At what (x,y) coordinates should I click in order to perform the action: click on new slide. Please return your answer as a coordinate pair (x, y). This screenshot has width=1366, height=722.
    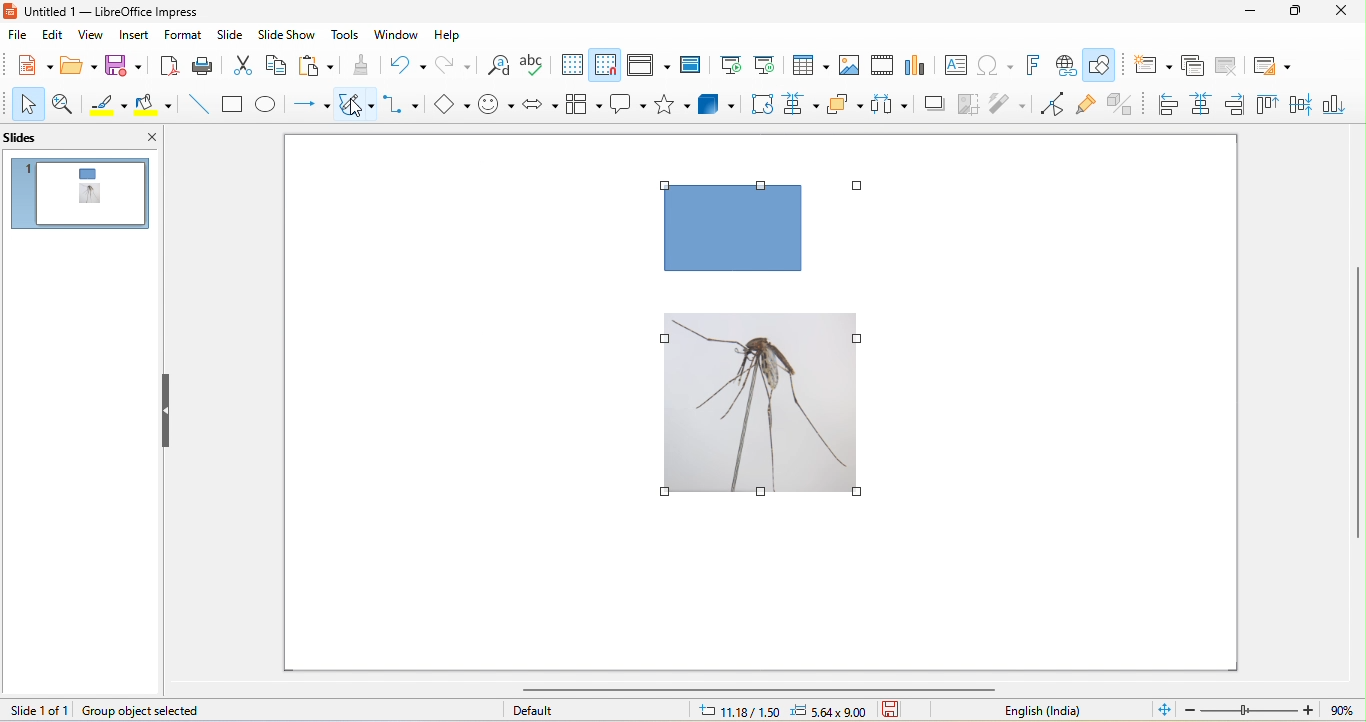
    Looking at the image, I should click on (1146, 68).